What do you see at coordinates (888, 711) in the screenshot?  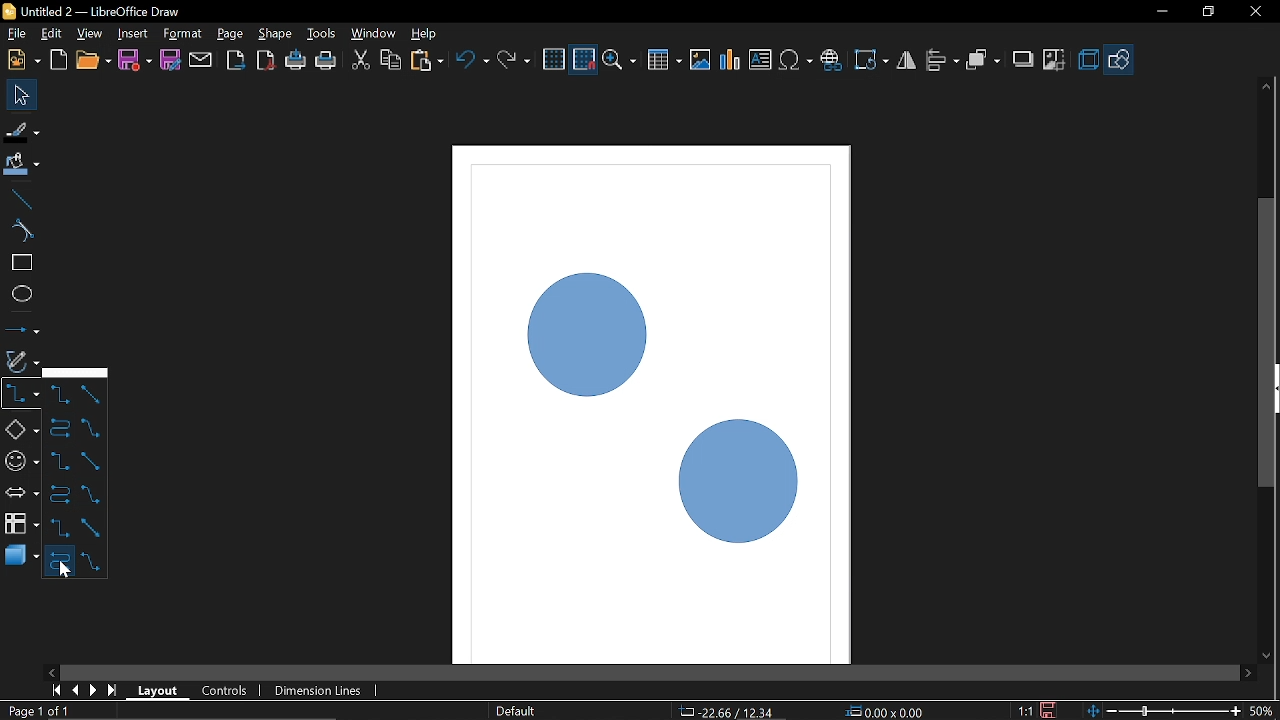 I see `Location` at bounding box center [888, 711].